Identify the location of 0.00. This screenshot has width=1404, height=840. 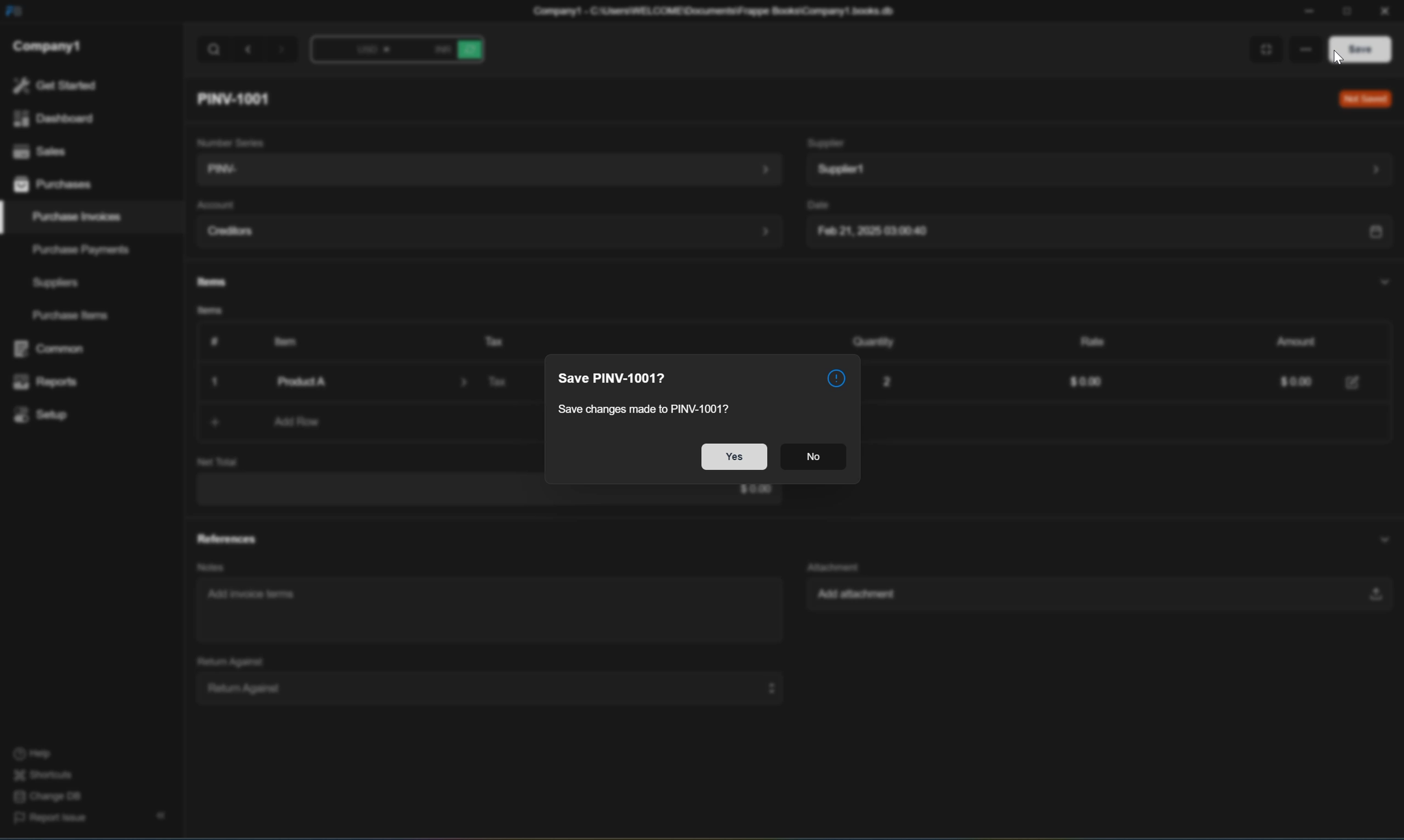
(1287, 383).